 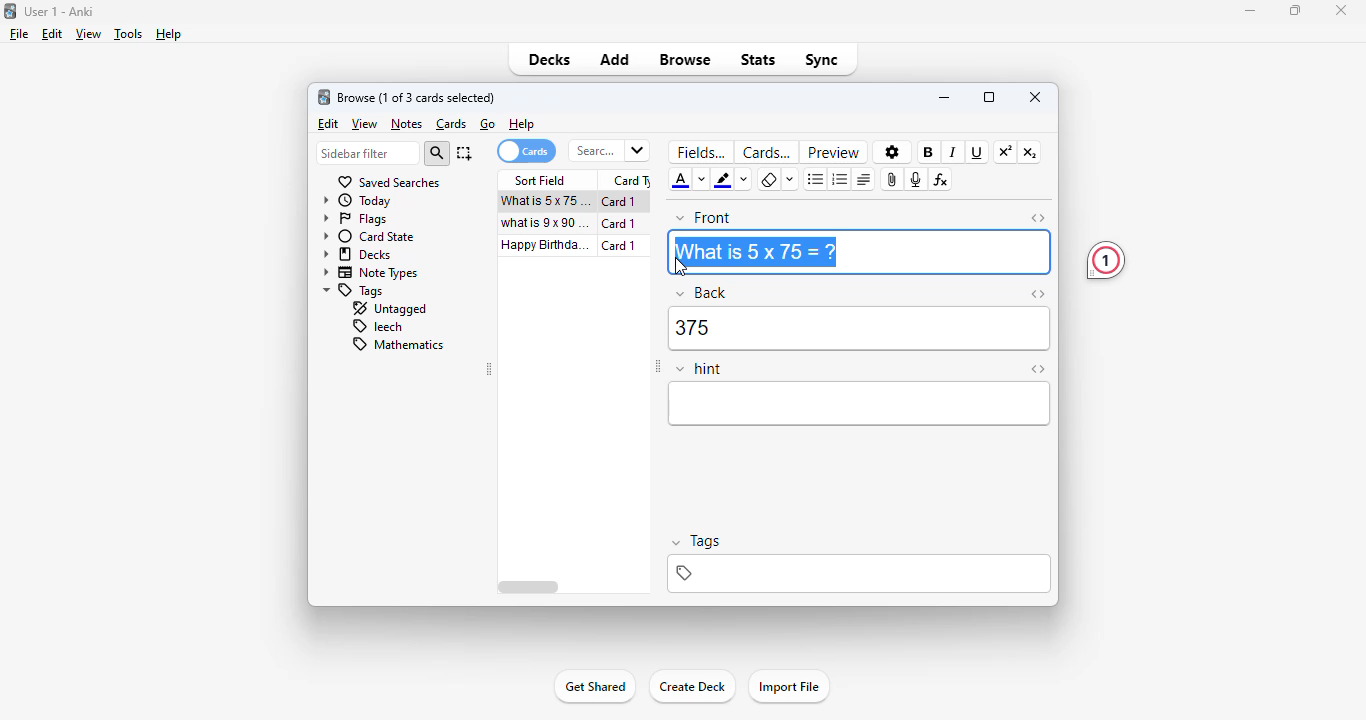 What do you see at coordinates (619, 202) in the screenshot?
I see `card 1` at bounding box center [619, 202].